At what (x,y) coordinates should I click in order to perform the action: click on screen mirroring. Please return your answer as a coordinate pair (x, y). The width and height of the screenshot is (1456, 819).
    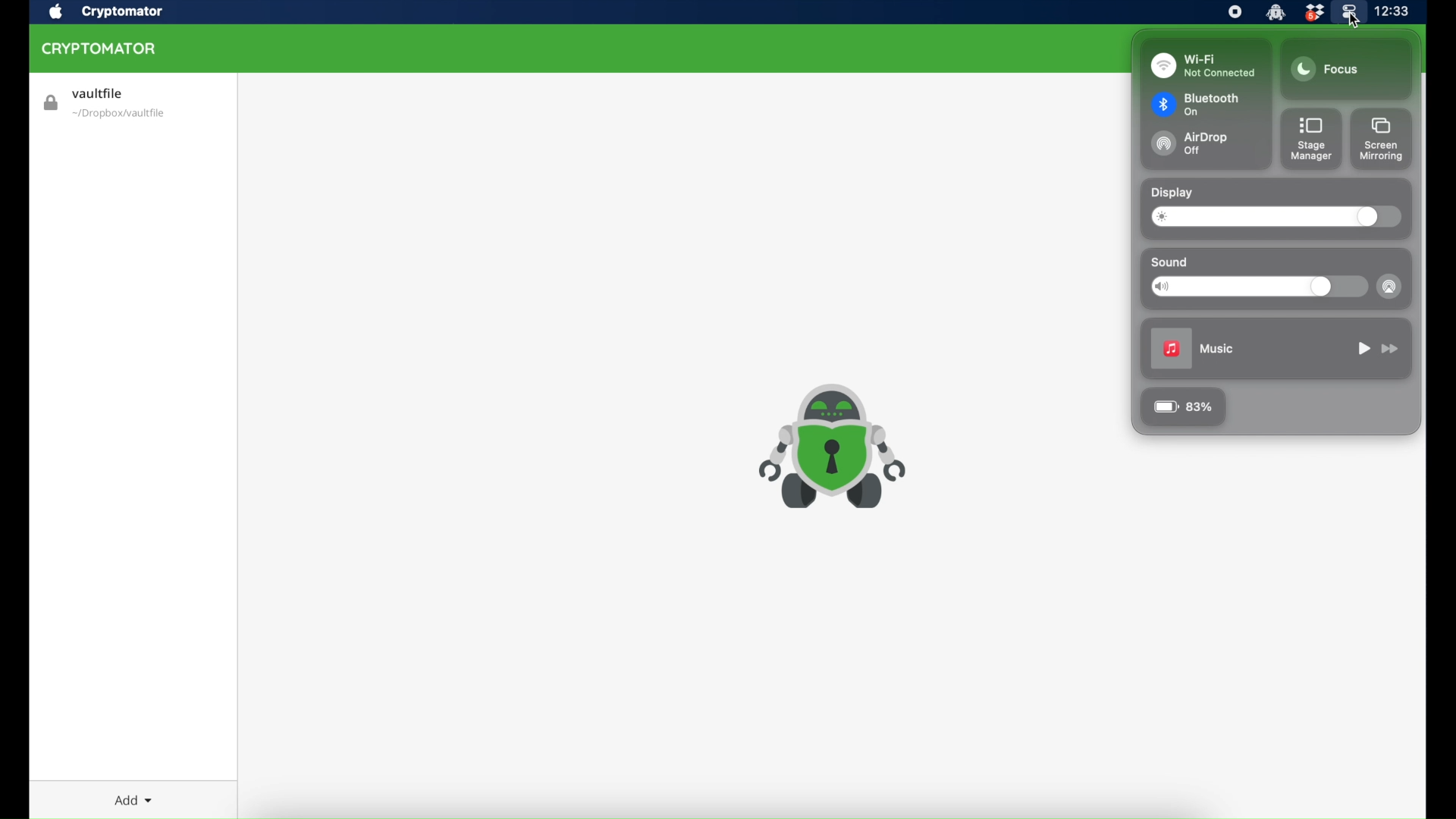
    Looking at the image, I should click on (1382, 139).